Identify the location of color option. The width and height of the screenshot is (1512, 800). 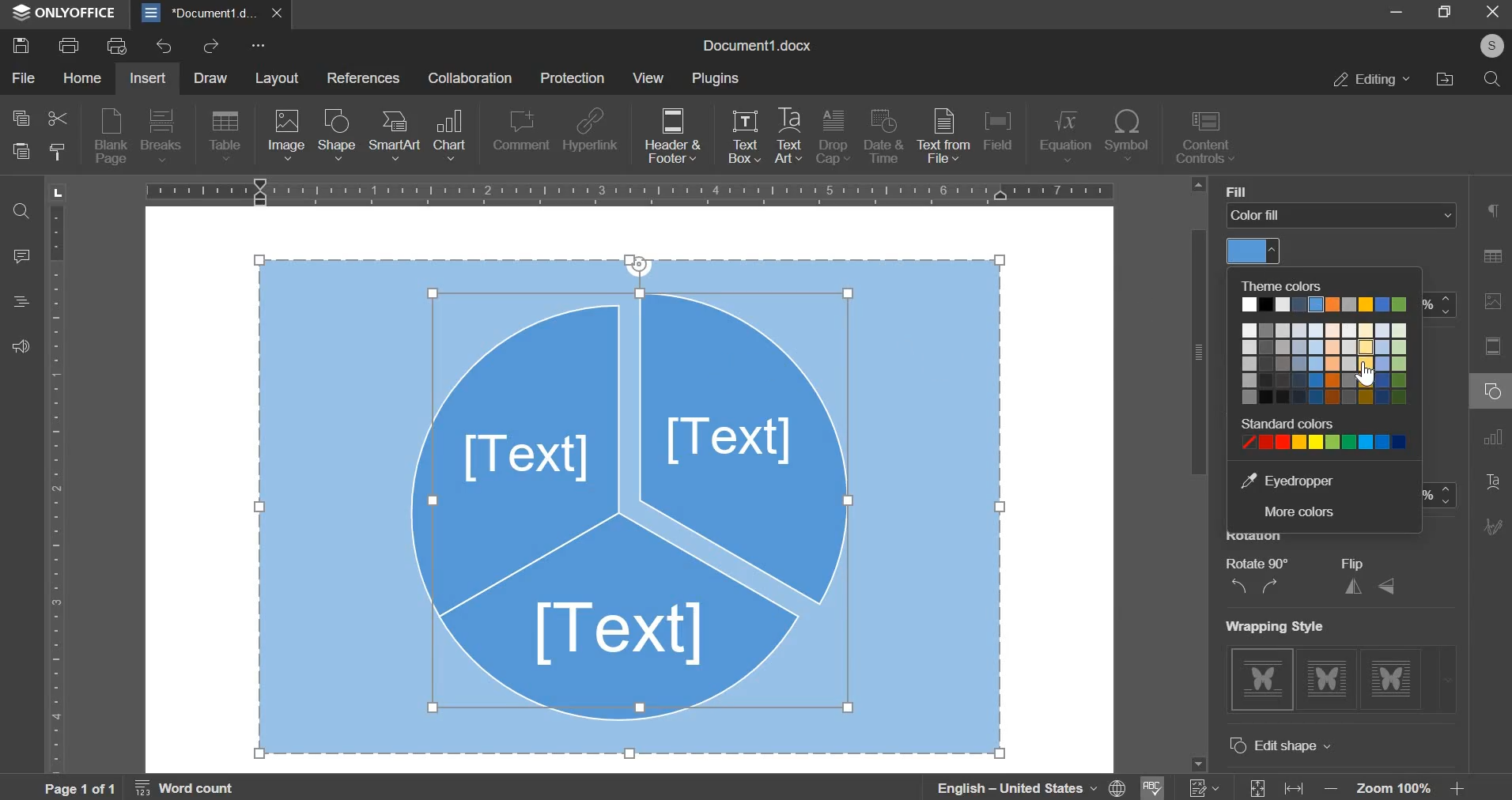
(1321, 368).